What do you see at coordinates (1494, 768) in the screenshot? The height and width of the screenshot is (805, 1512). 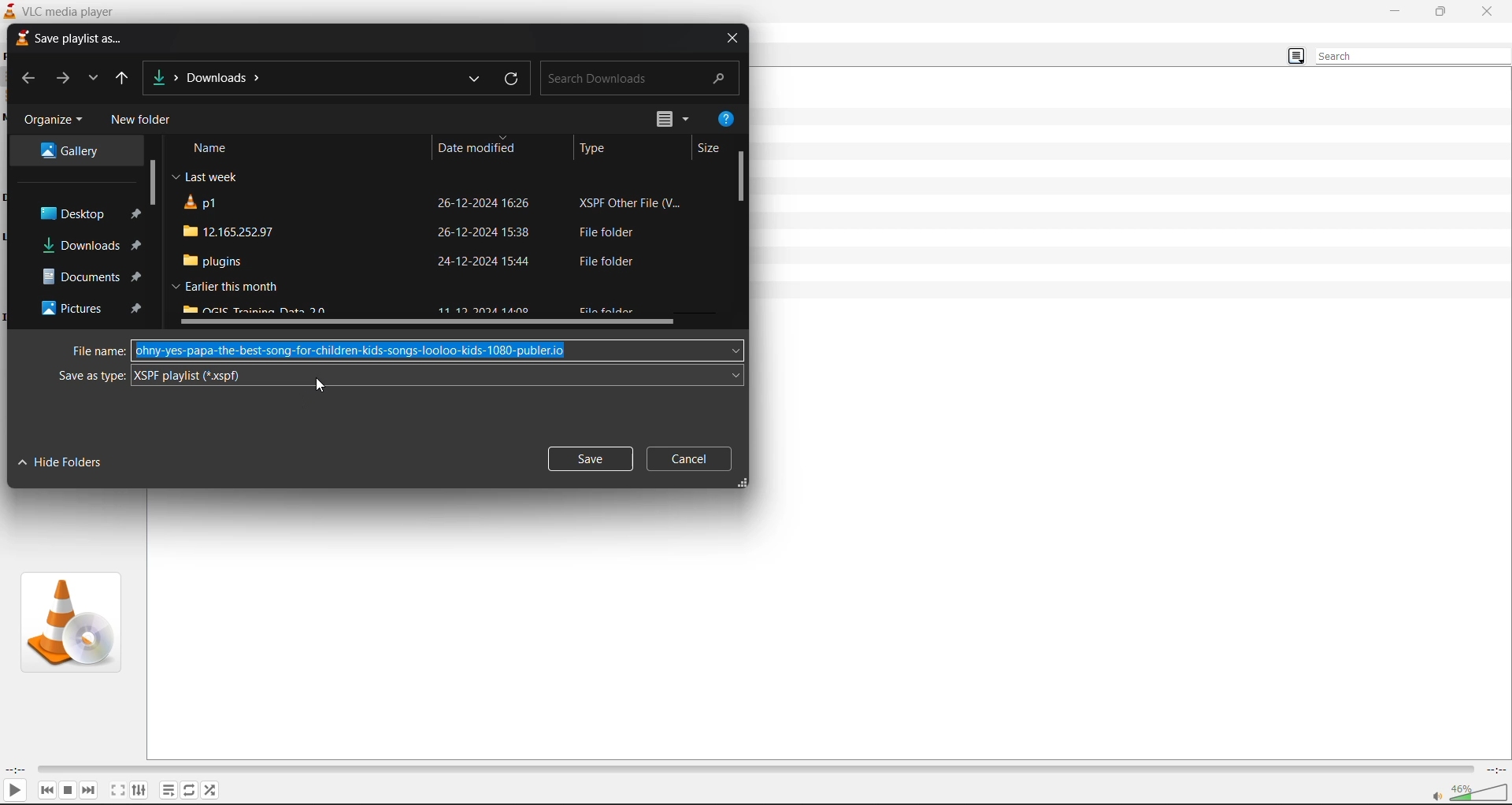 I see `total track time` at bounding box center [1494, 768].